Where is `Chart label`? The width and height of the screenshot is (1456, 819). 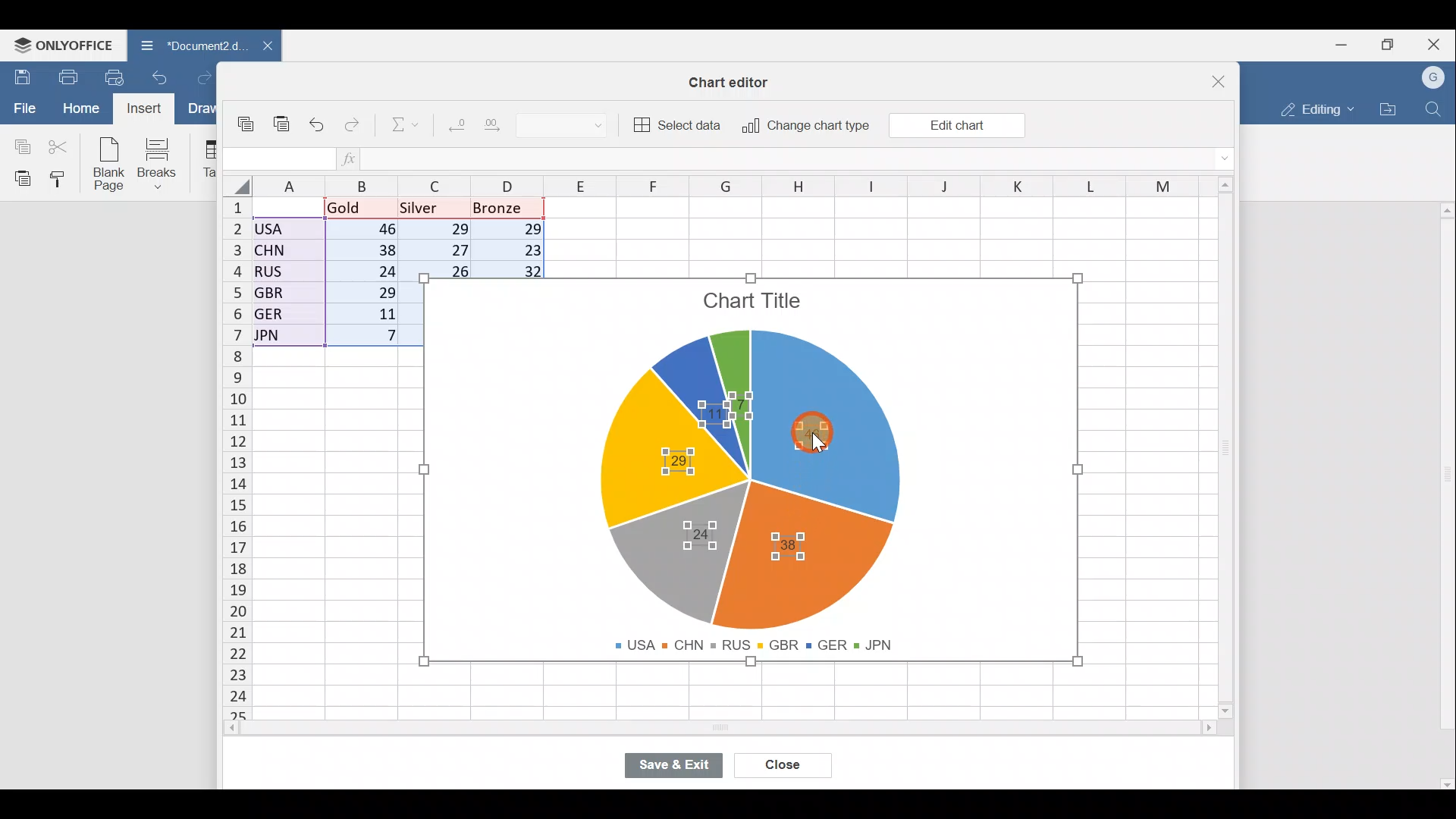
Chart label is located at coordinates (667, 460).